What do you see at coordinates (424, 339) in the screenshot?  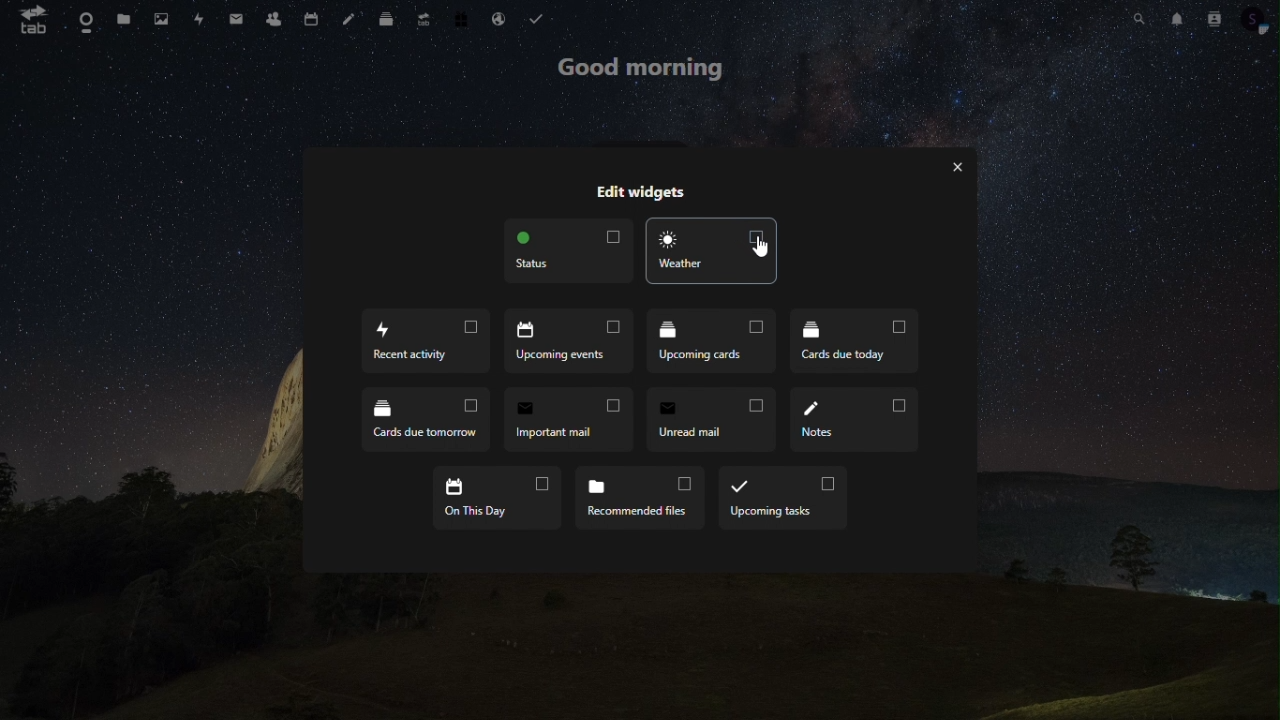 I see `recent acticity` at bounding box center [424, 339].